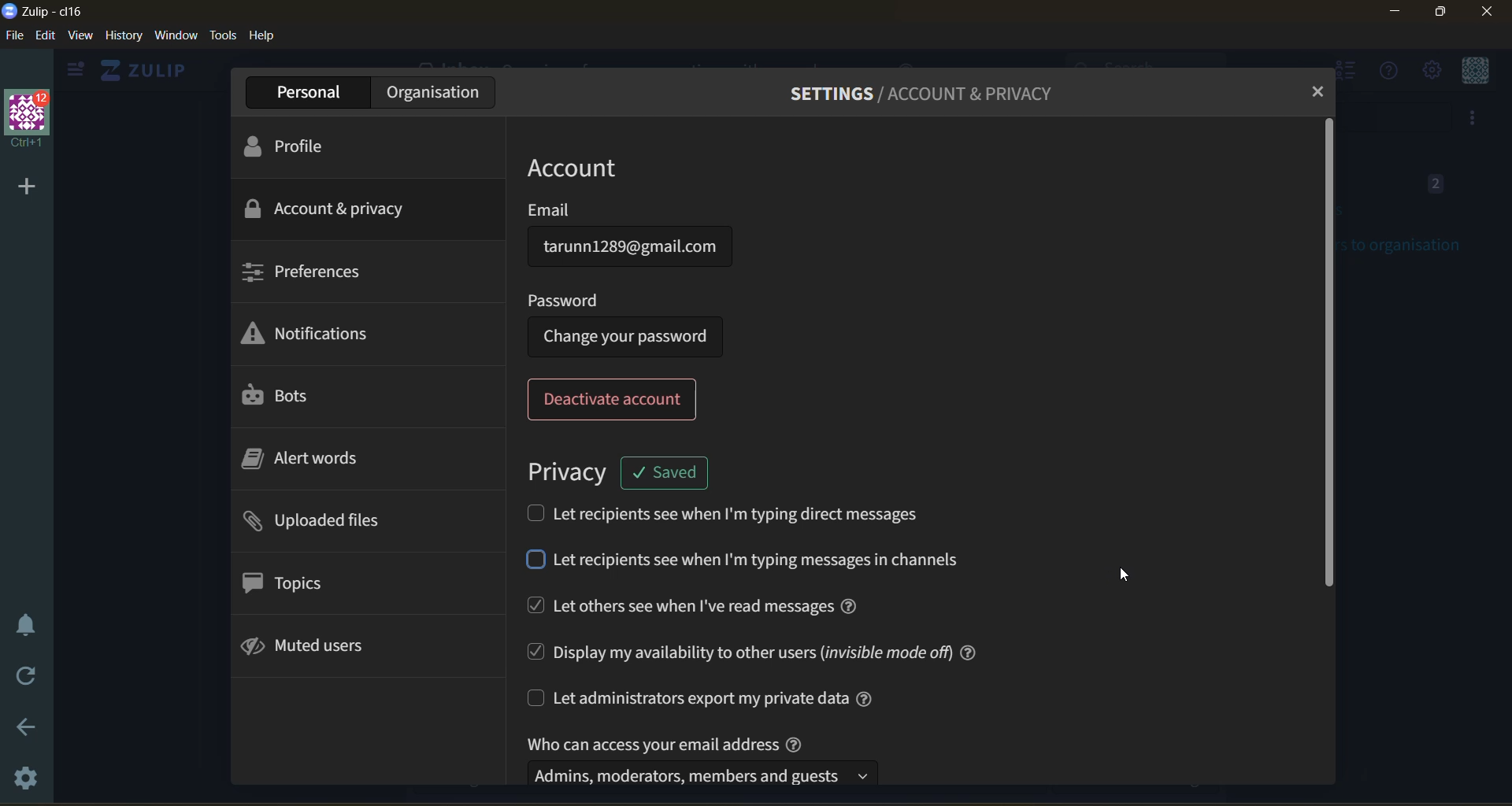  I want to click on tools, so click(223, 35).